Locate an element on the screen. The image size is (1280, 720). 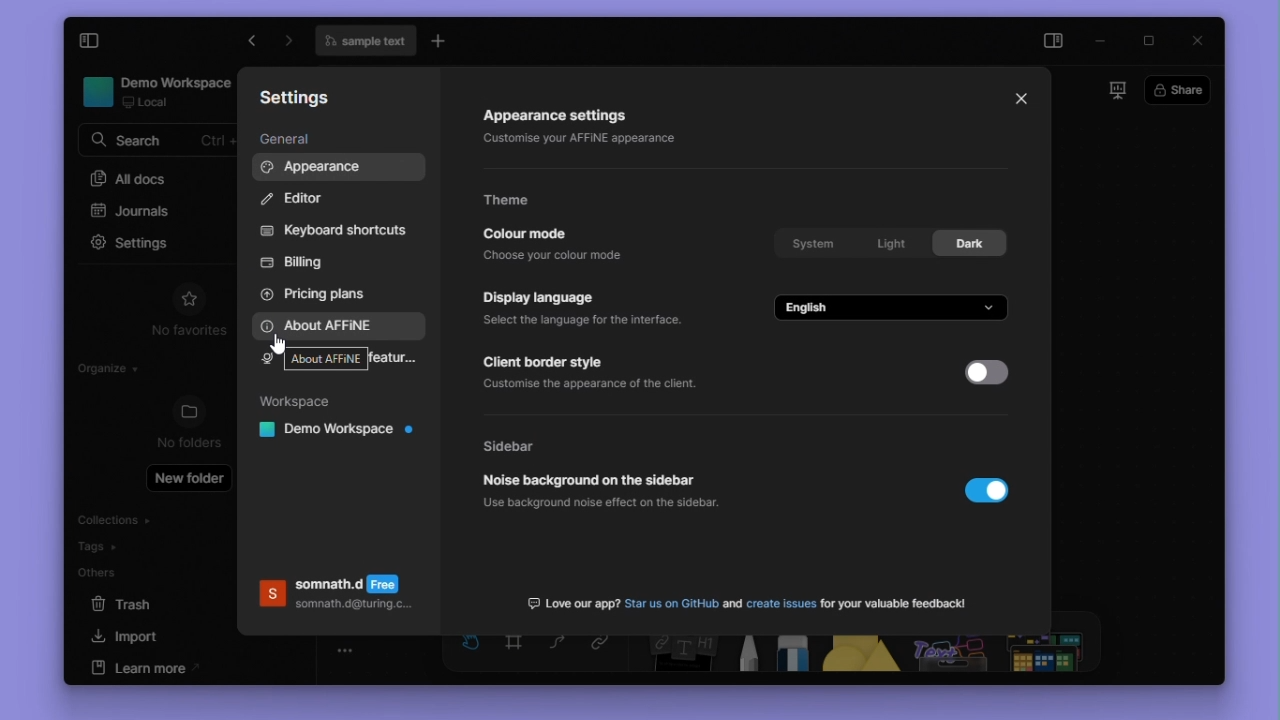
workspace name and details is located at coordinates (151, 92).